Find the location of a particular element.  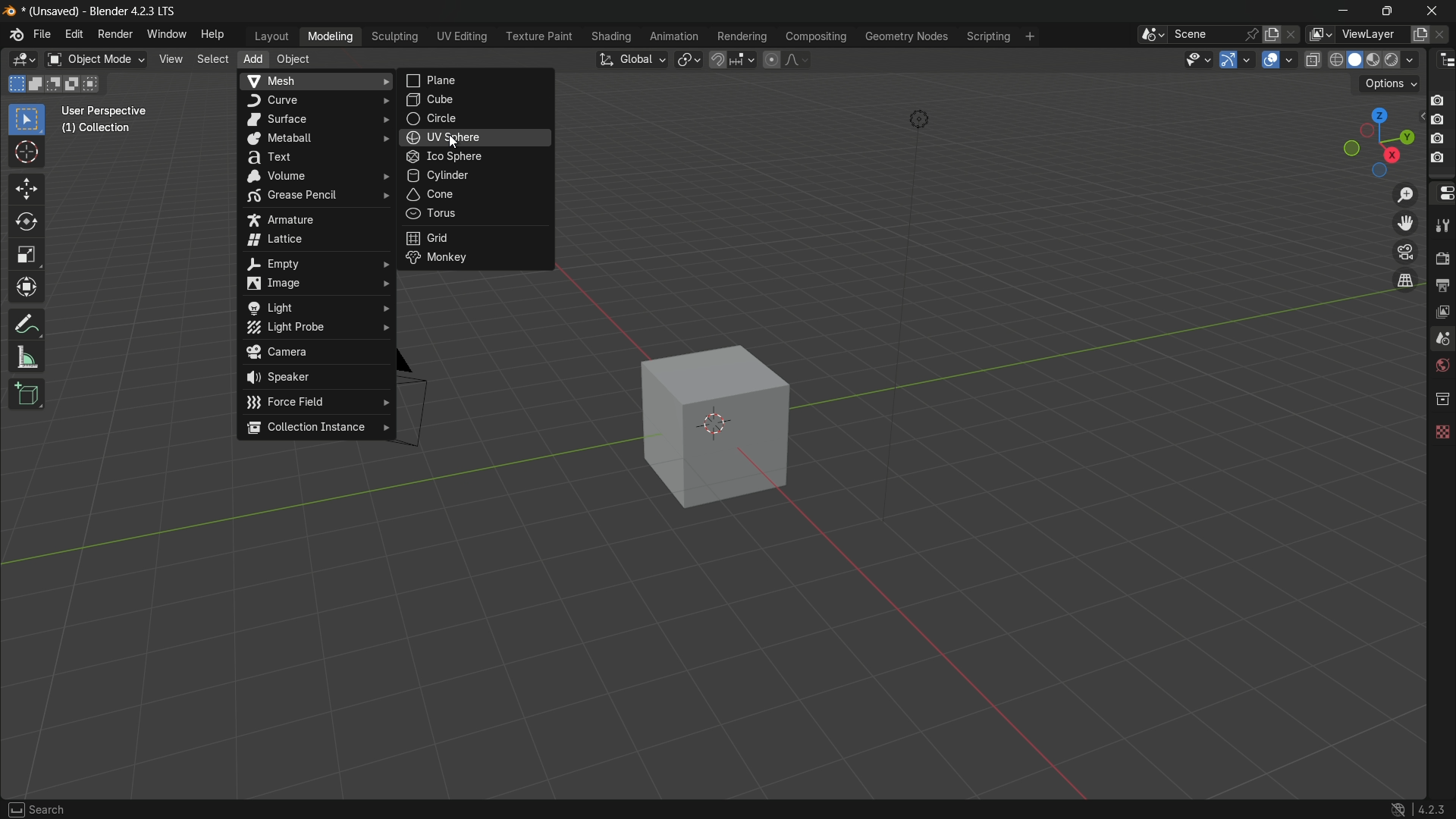

proportional editing object is located at coordinates (771, 59).